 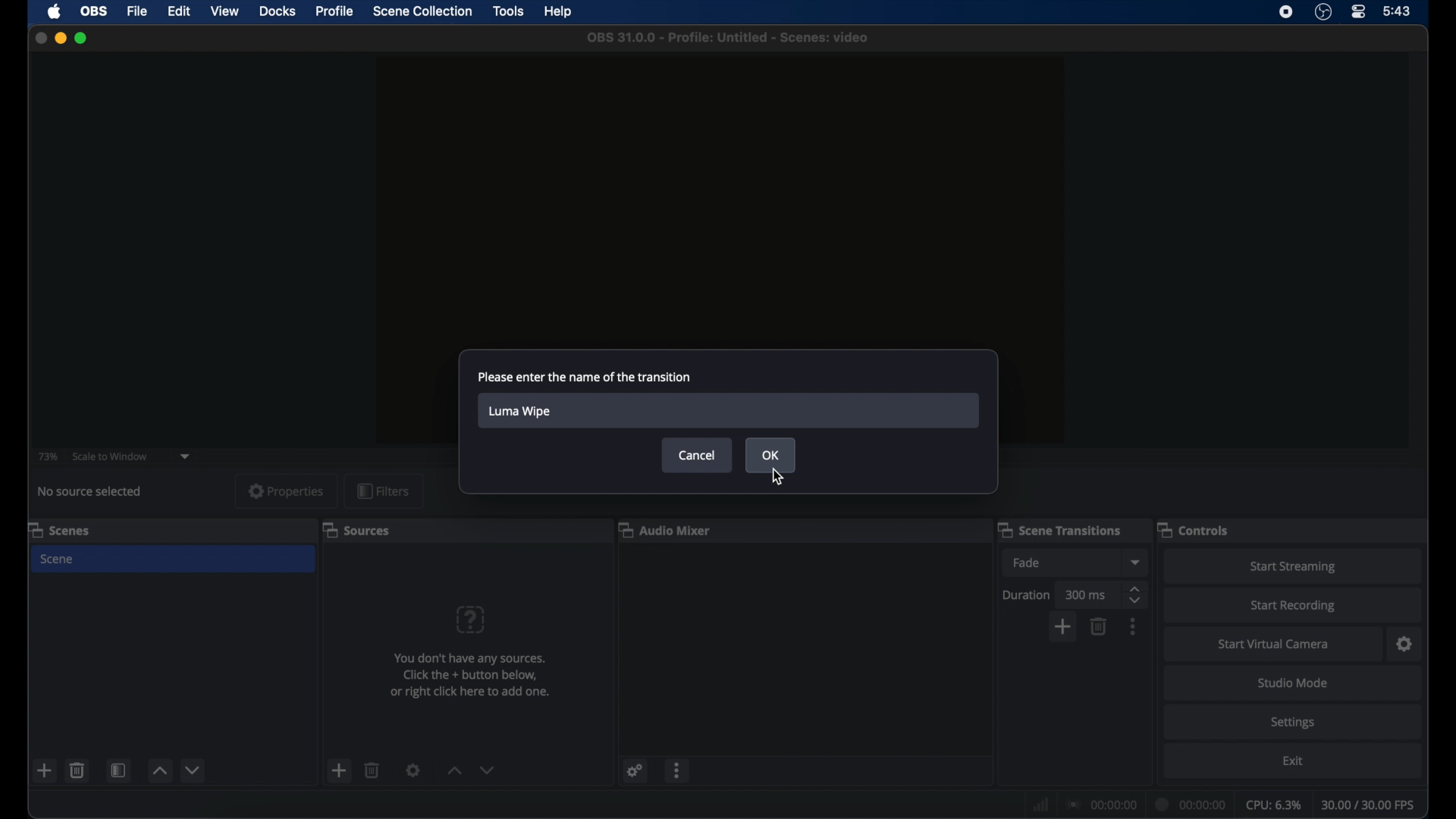 I want to click on stepper buttons, so click(x=1136, y=595).